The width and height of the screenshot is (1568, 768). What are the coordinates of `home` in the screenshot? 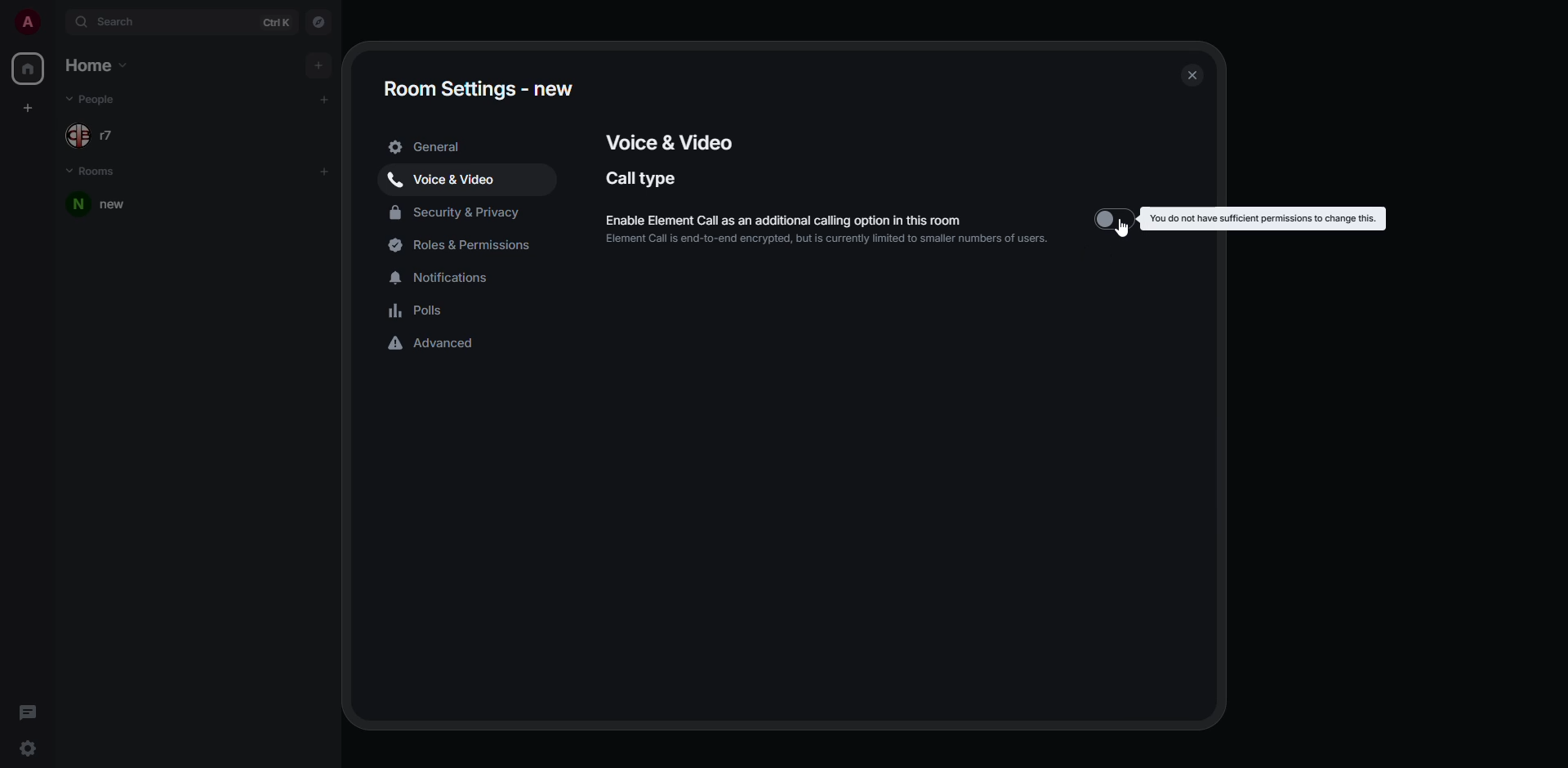 It's located at (99, 66).